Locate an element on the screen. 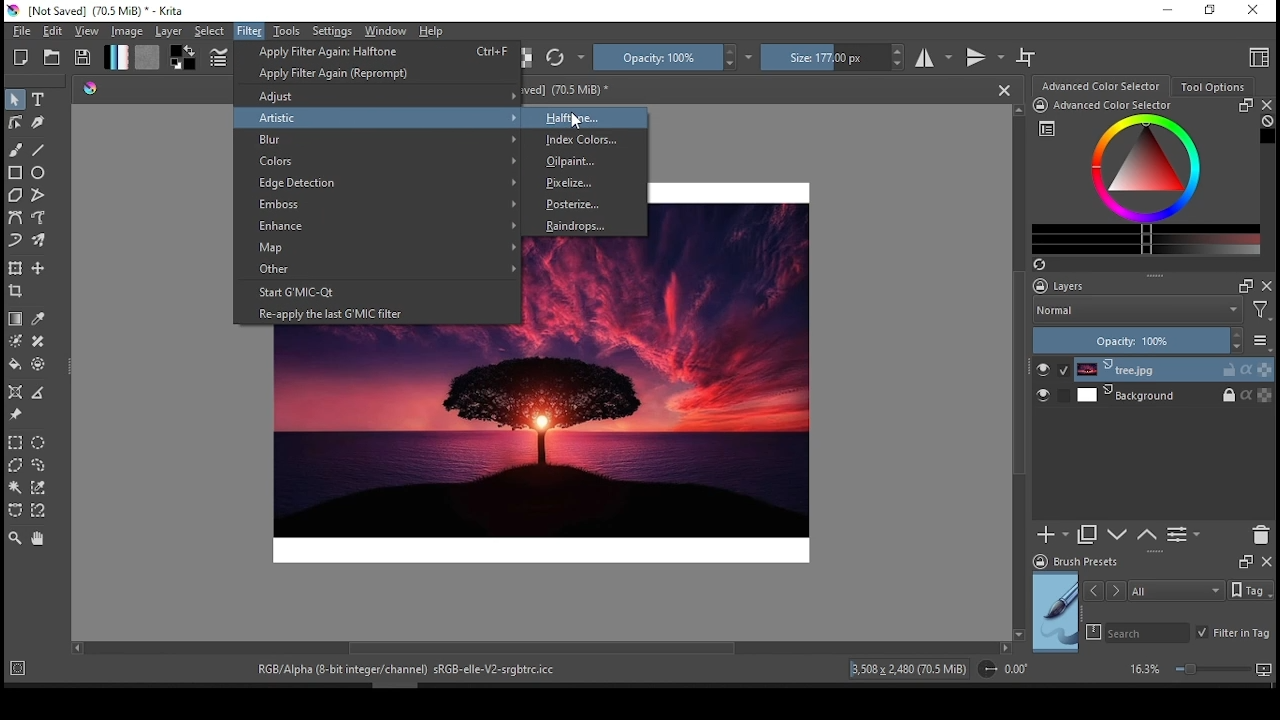  open is located at coordinates (52, 58).